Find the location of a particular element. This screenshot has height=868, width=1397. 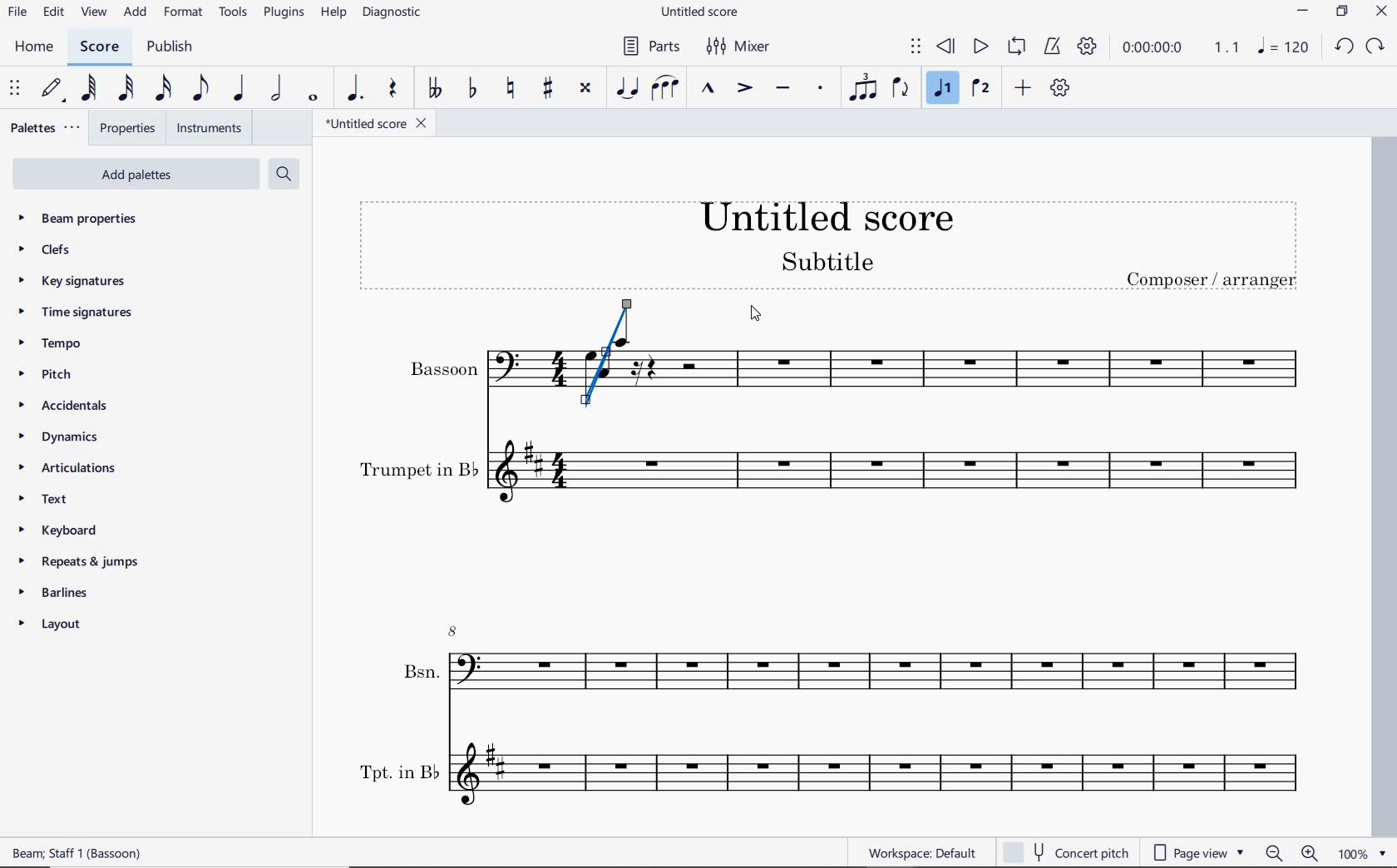

loop playback is located at coordinates (1016, 48).